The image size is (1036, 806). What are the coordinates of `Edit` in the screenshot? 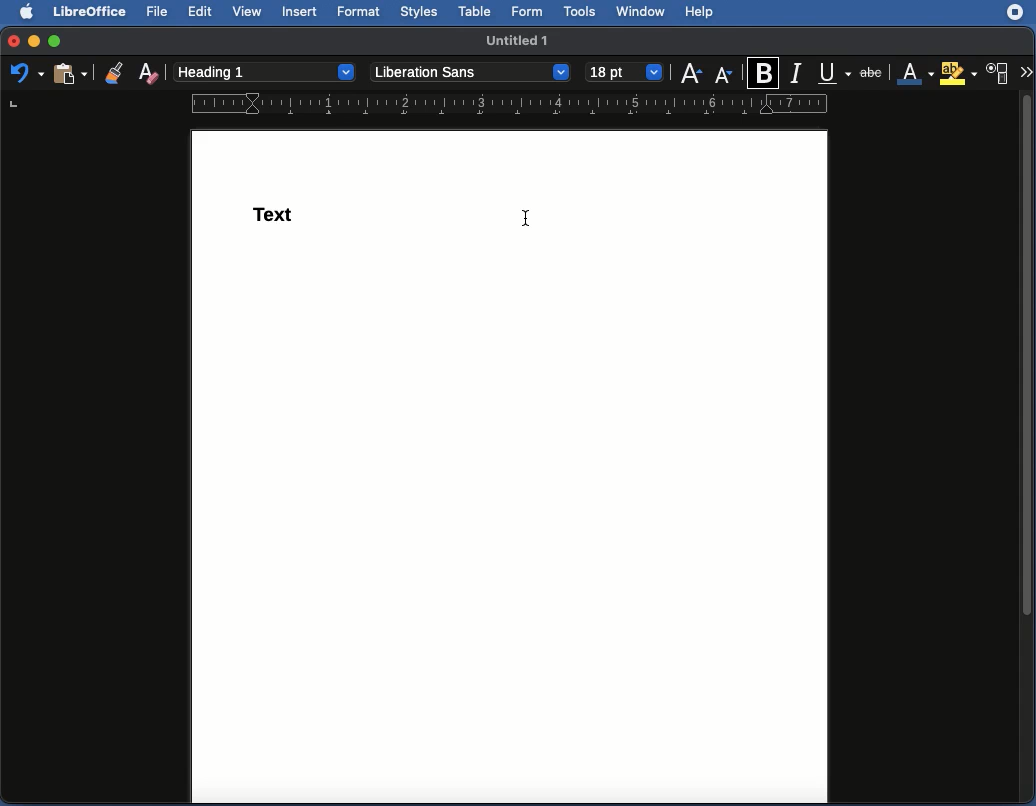 It's located at (202, 12).